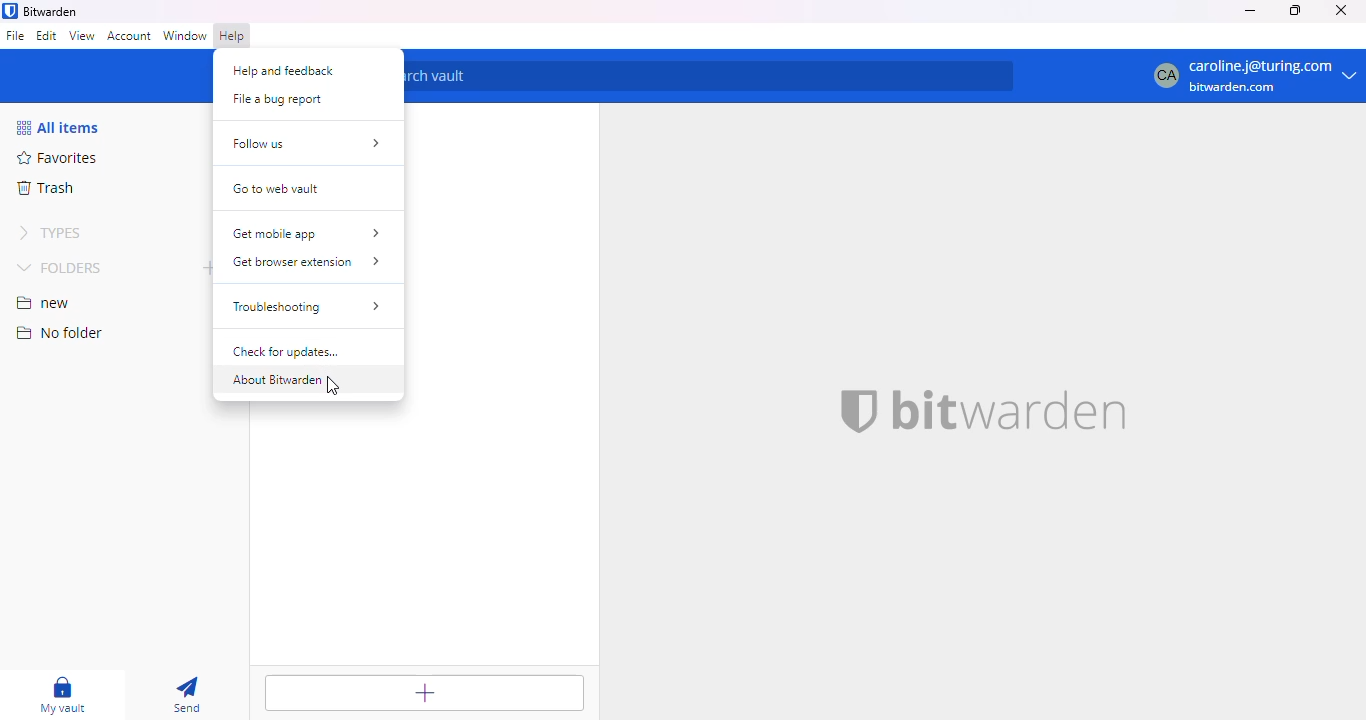  I want to click on About Bitwarden, so click(287, 381).